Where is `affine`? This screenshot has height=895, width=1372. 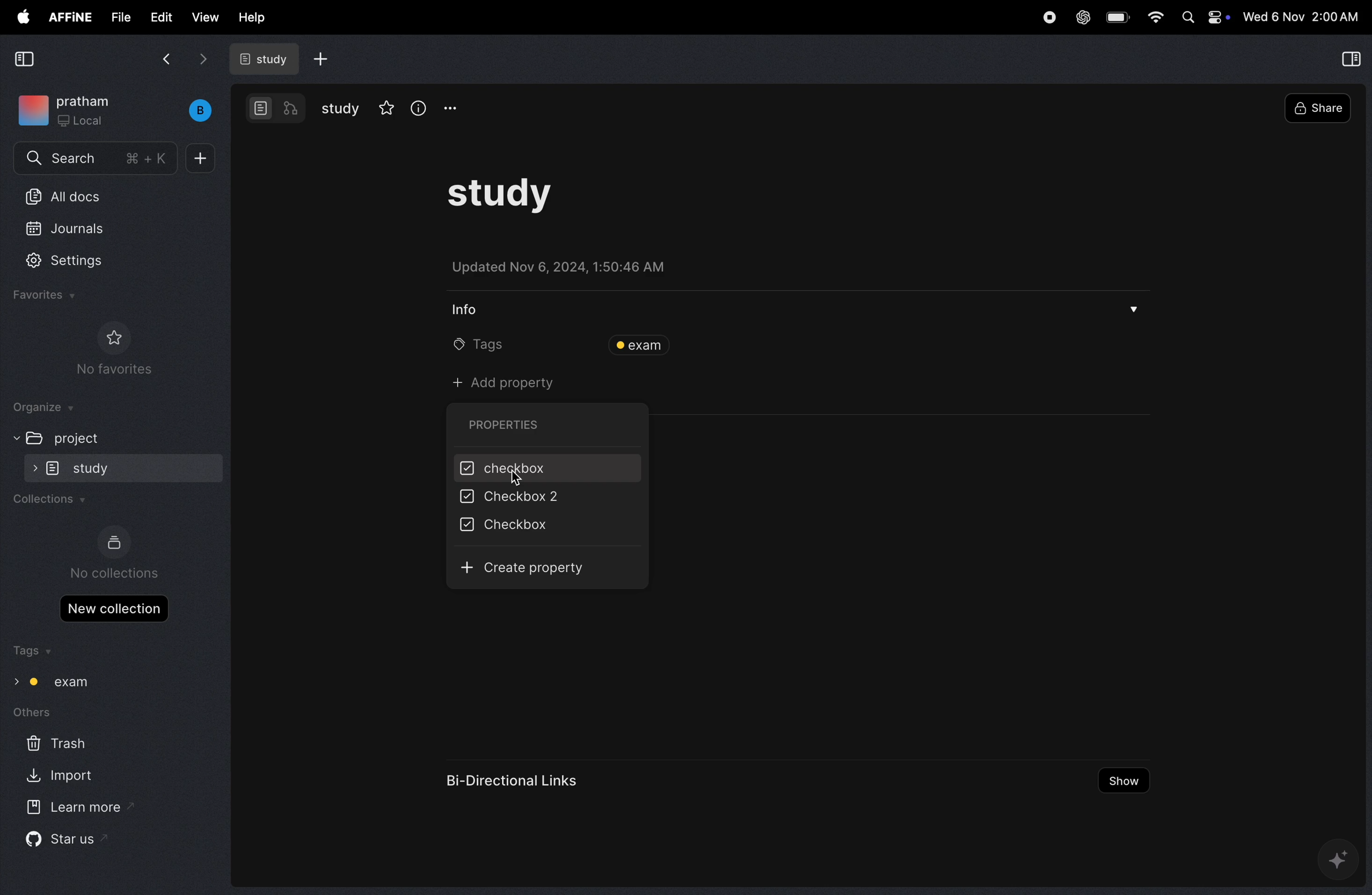 affine is located at coordinates (70, 18).